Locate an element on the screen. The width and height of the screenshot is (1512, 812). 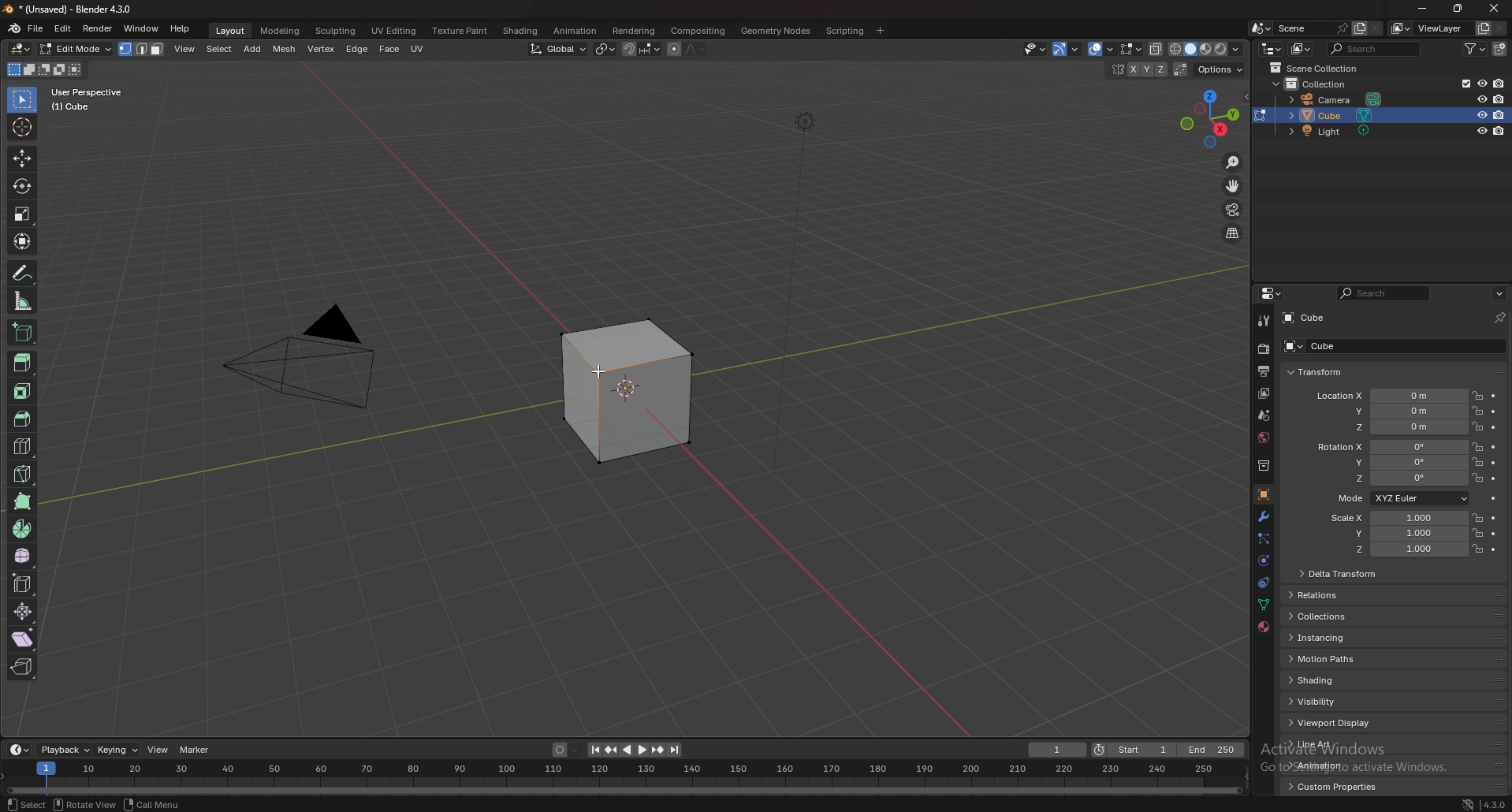
scene is located at coordinates (1264, 415).